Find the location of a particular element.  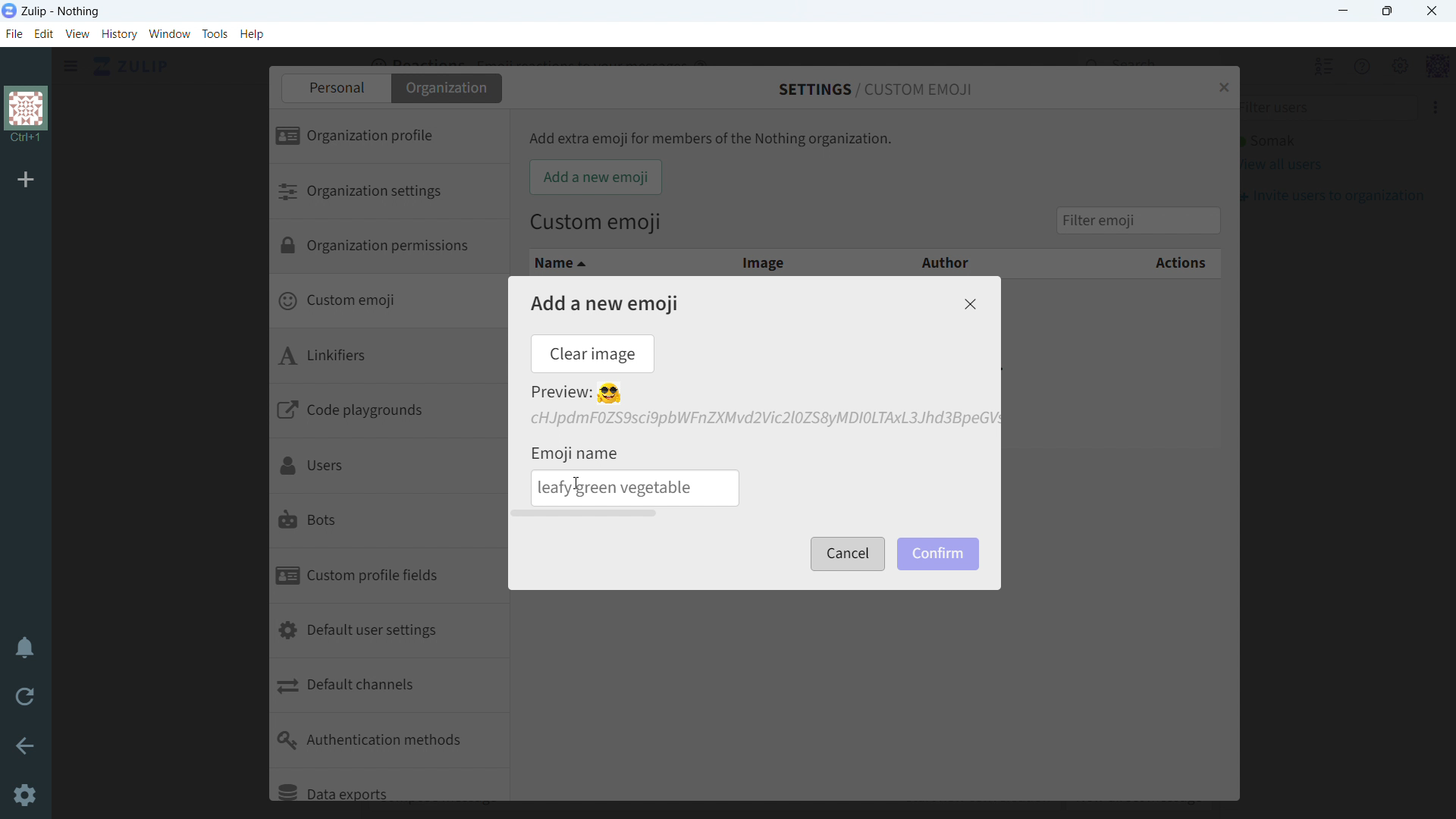

tools is located at coordinates (215, 33).